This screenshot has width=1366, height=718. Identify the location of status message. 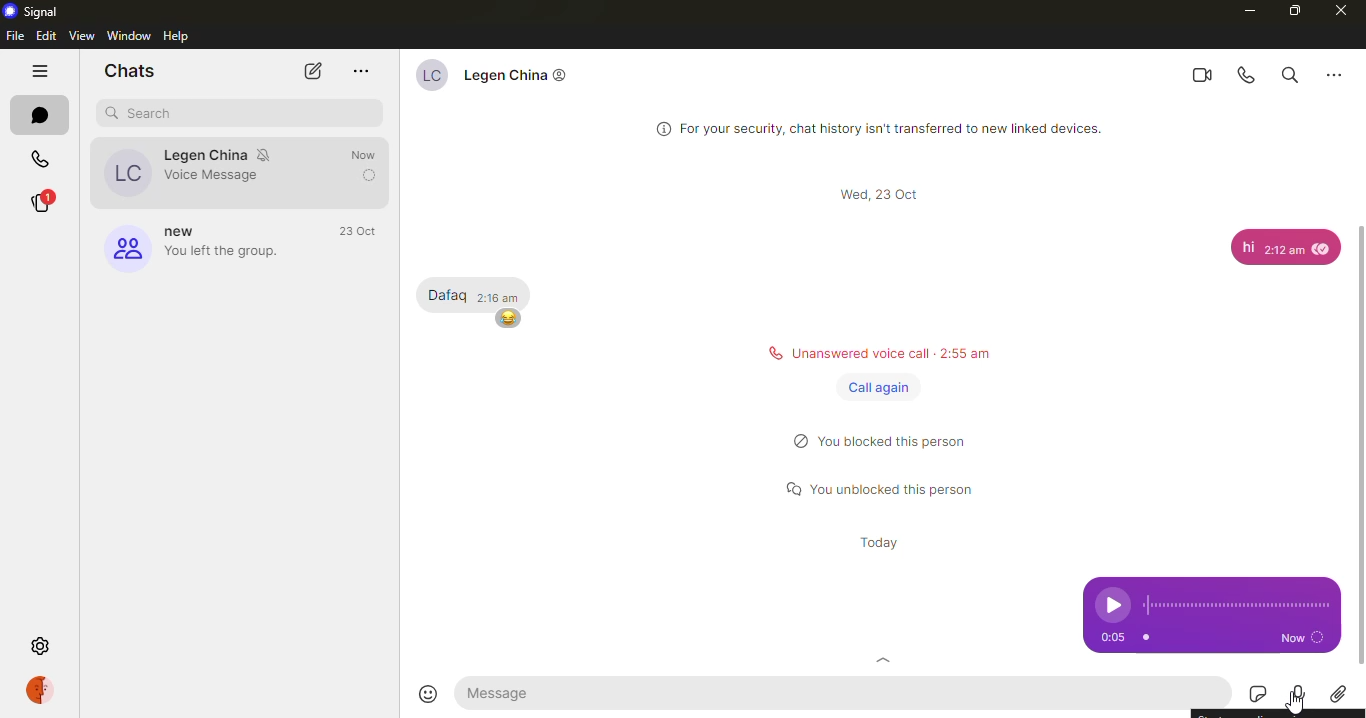
(883, 483).